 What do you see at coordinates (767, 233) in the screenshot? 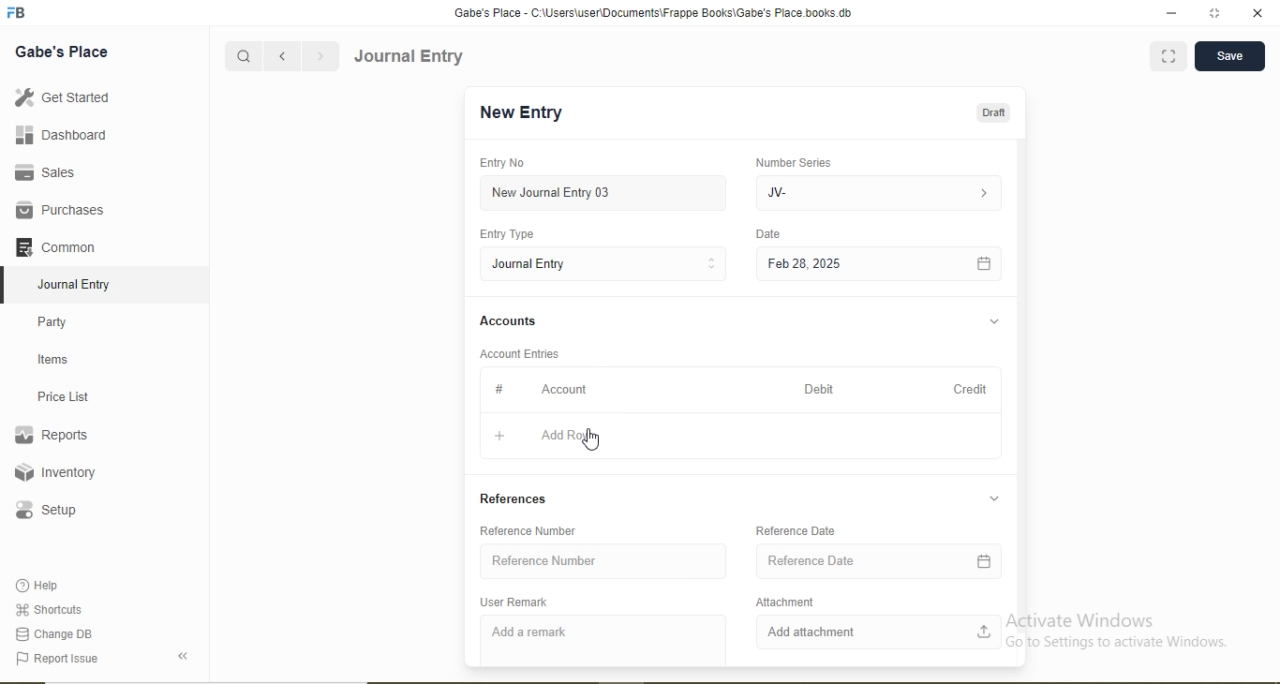
I see `Date` at bounding box center [767, 233].